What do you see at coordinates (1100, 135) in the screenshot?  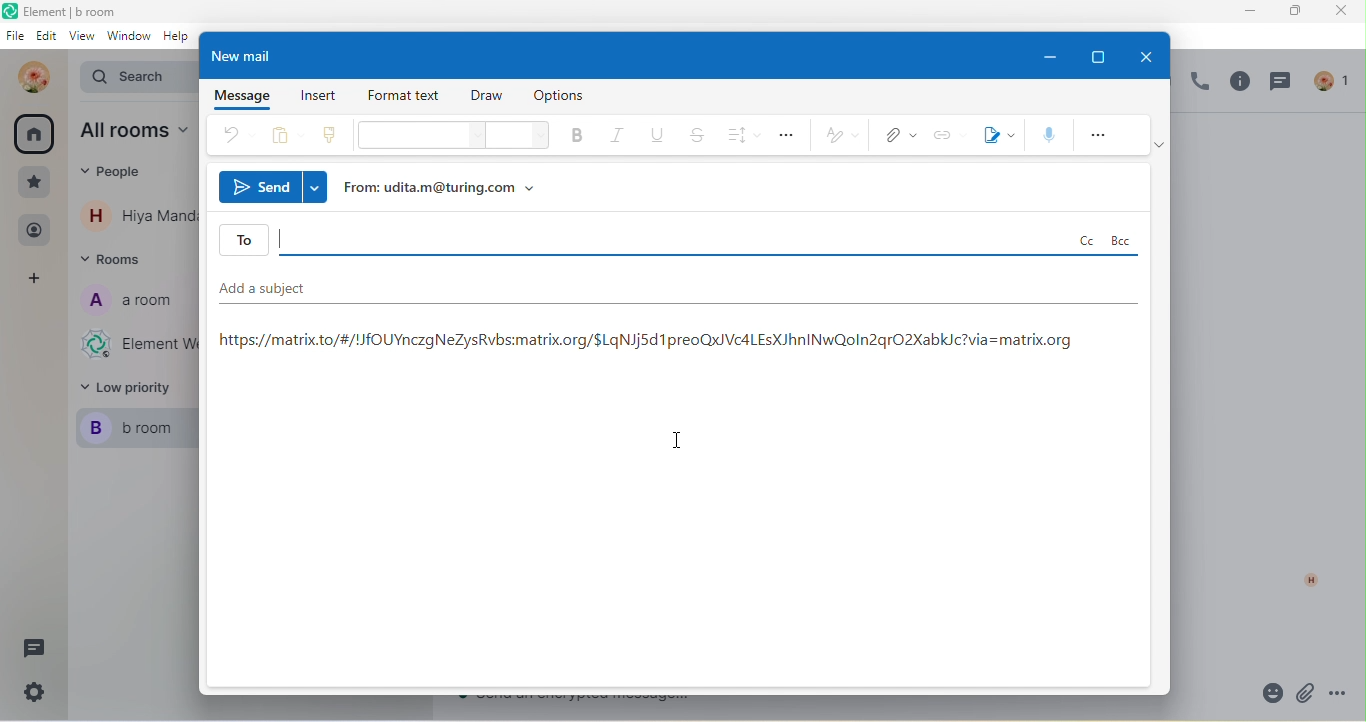 I see `more option` at bounding box center [1100, 135].